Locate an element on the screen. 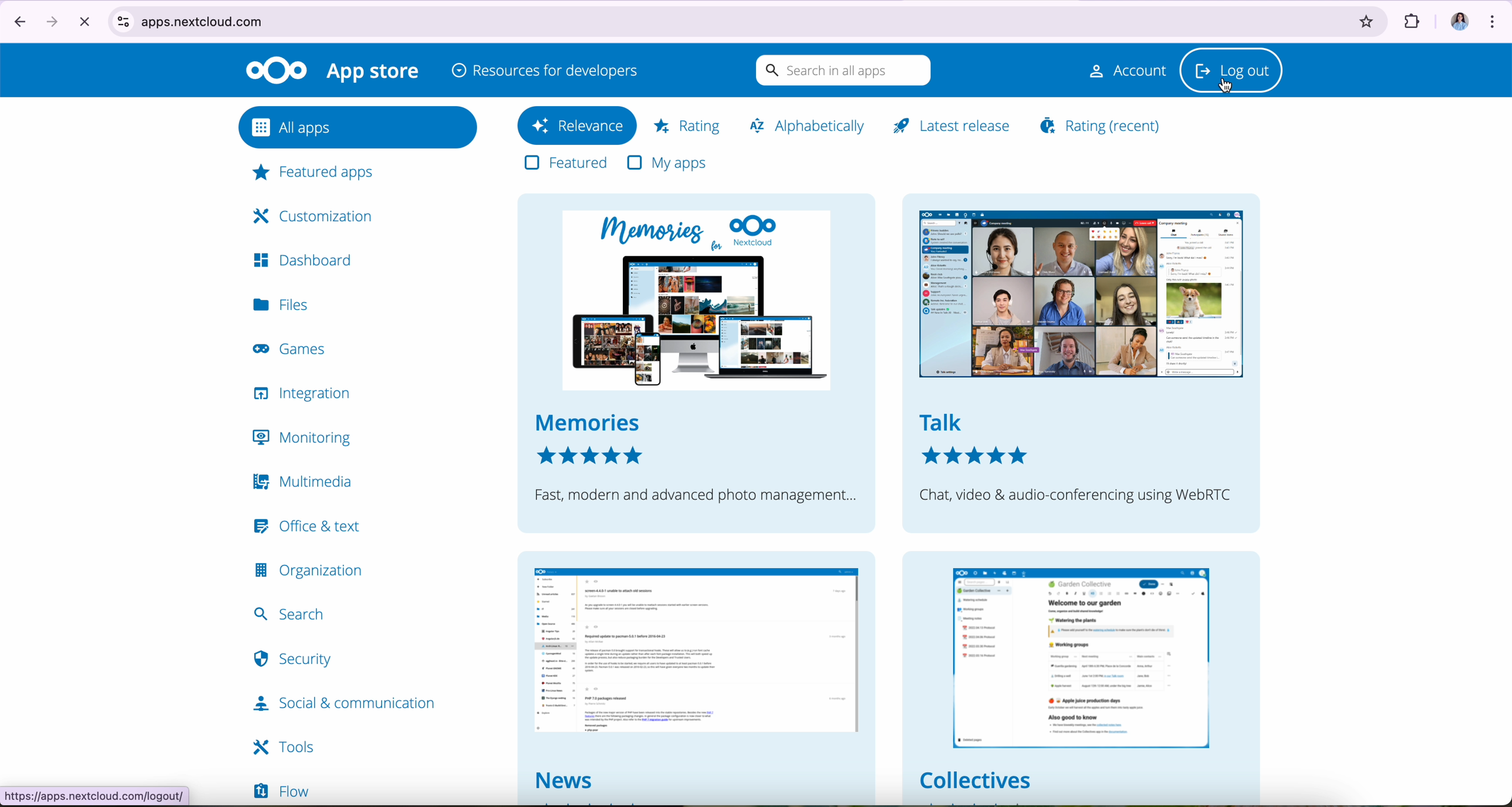  favorites is located at coordinates (1363, 22).